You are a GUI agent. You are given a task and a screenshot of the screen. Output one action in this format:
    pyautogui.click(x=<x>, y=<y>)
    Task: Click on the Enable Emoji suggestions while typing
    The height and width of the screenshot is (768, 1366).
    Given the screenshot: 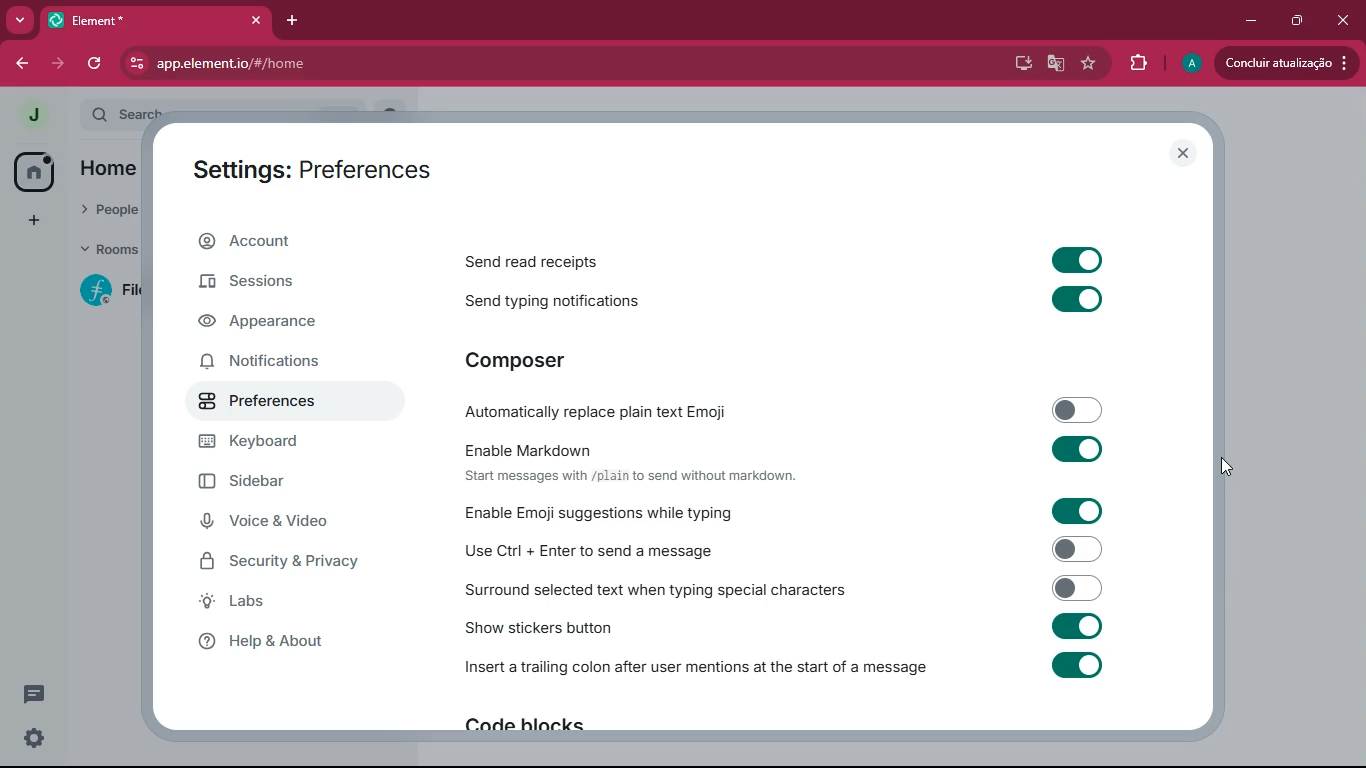 What is the action you would take?
    pyautogui.click(x=779, y=510)
    